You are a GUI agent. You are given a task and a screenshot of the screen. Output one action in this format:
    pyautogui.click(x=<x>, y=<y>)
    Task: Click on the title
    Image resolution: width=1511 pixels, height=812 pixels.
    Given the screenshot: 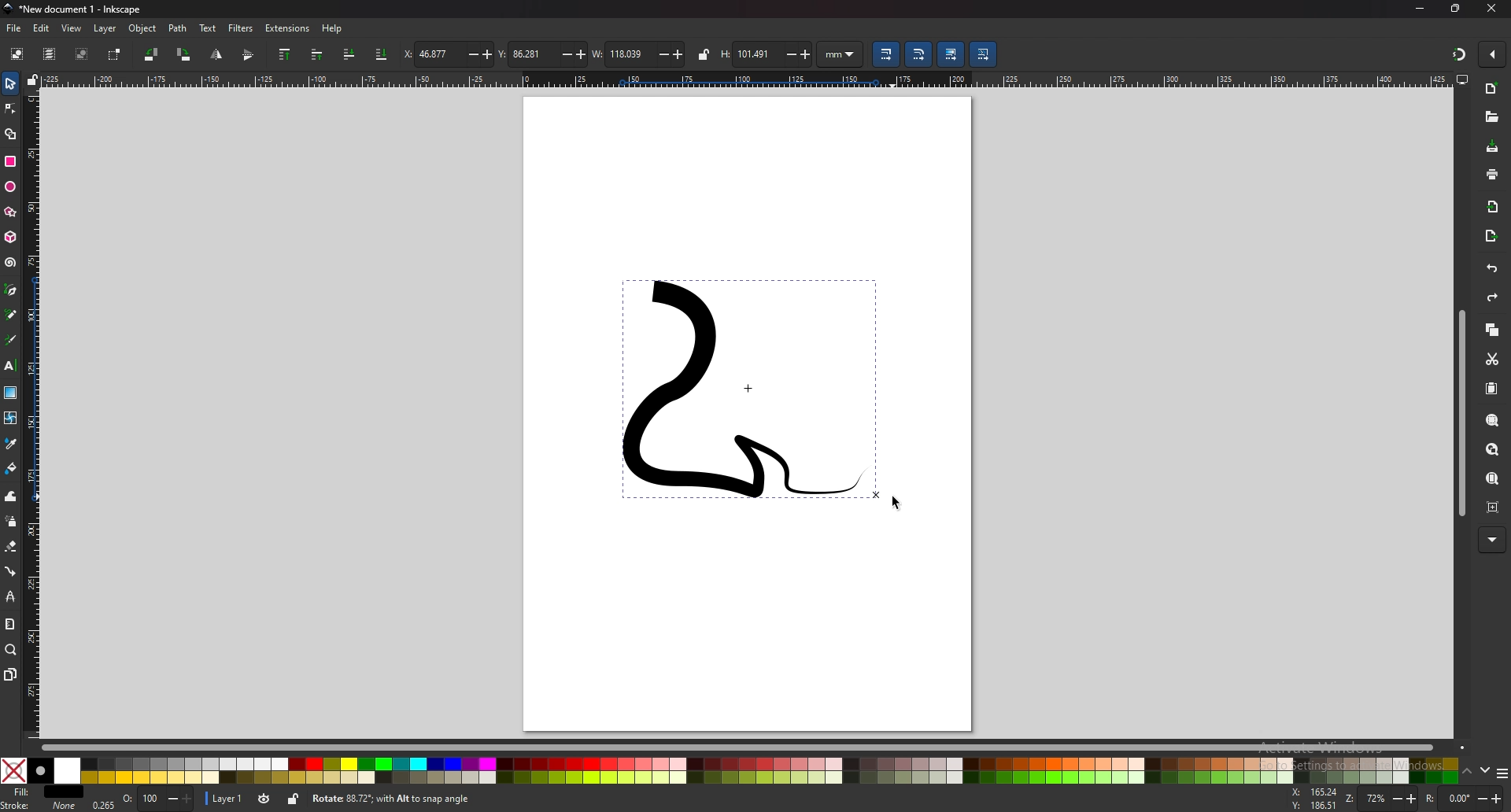 What is the action you would take?
    pyautogui.click(x=78, y=9)
    